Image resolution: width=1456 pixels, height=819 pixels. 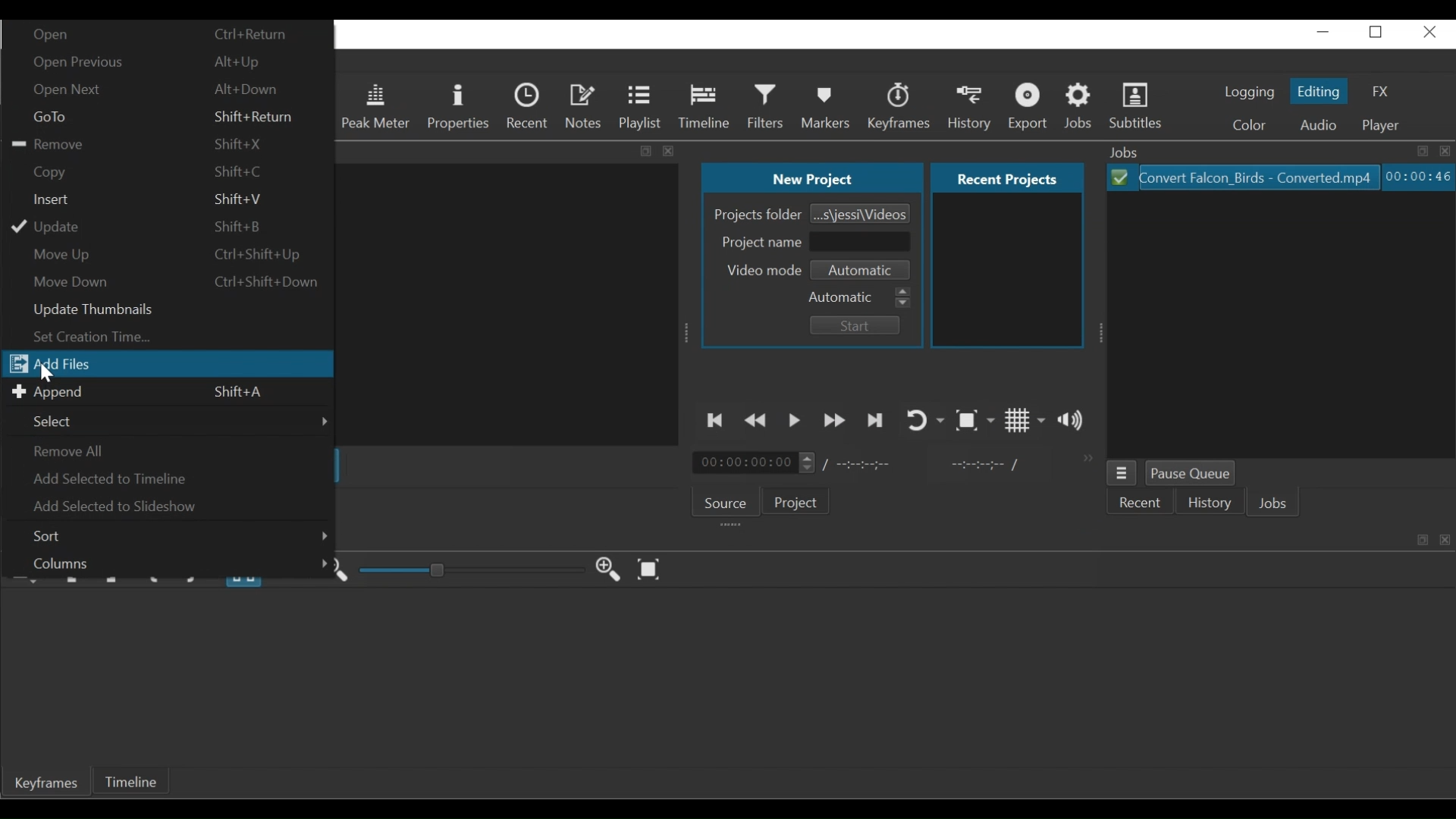 I want to click on Add files, so click(x=168, y=363).